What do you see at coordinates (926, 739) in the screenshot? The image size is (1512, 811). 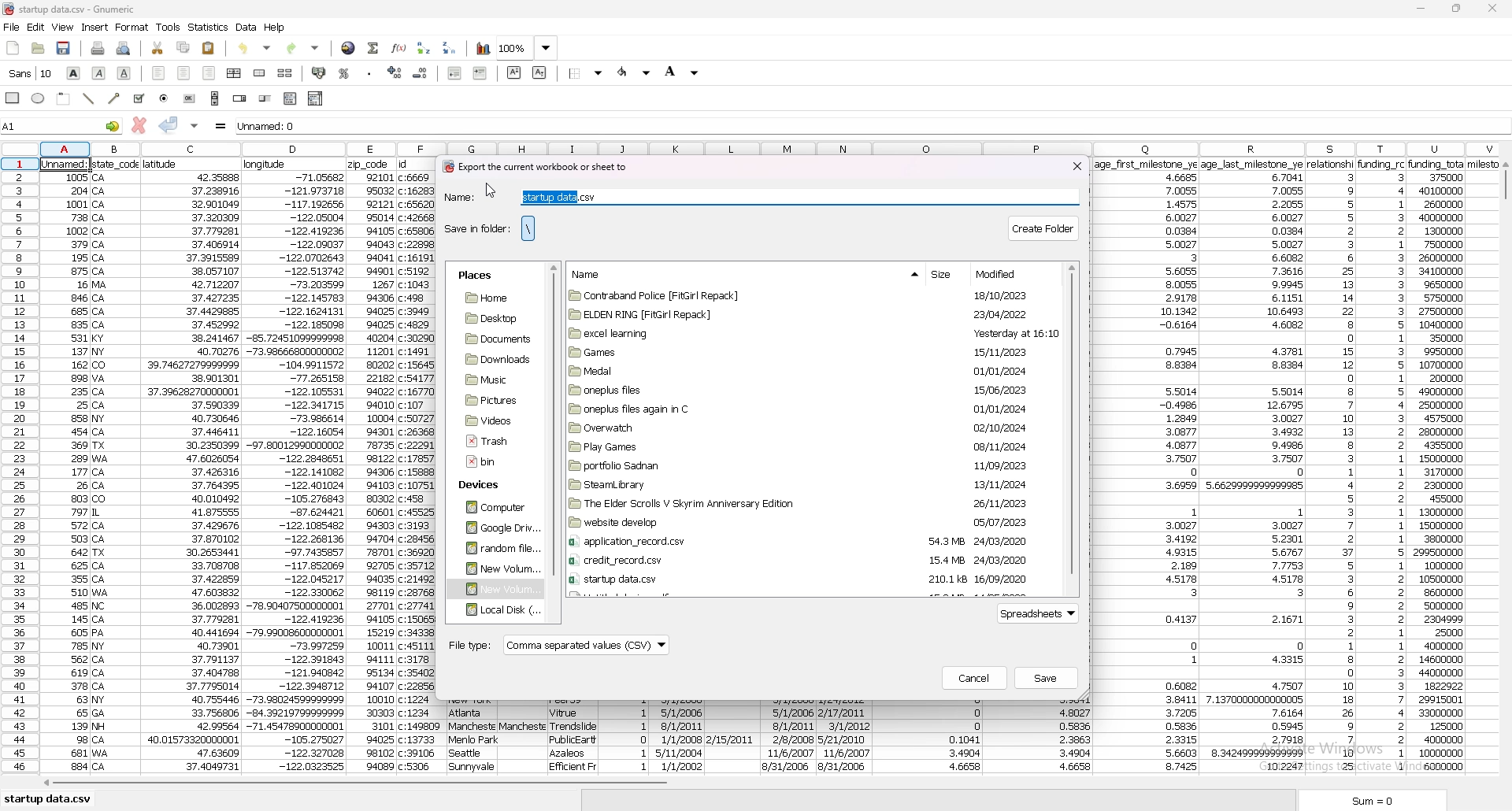 I see `data` at bounding box center [926, 739].